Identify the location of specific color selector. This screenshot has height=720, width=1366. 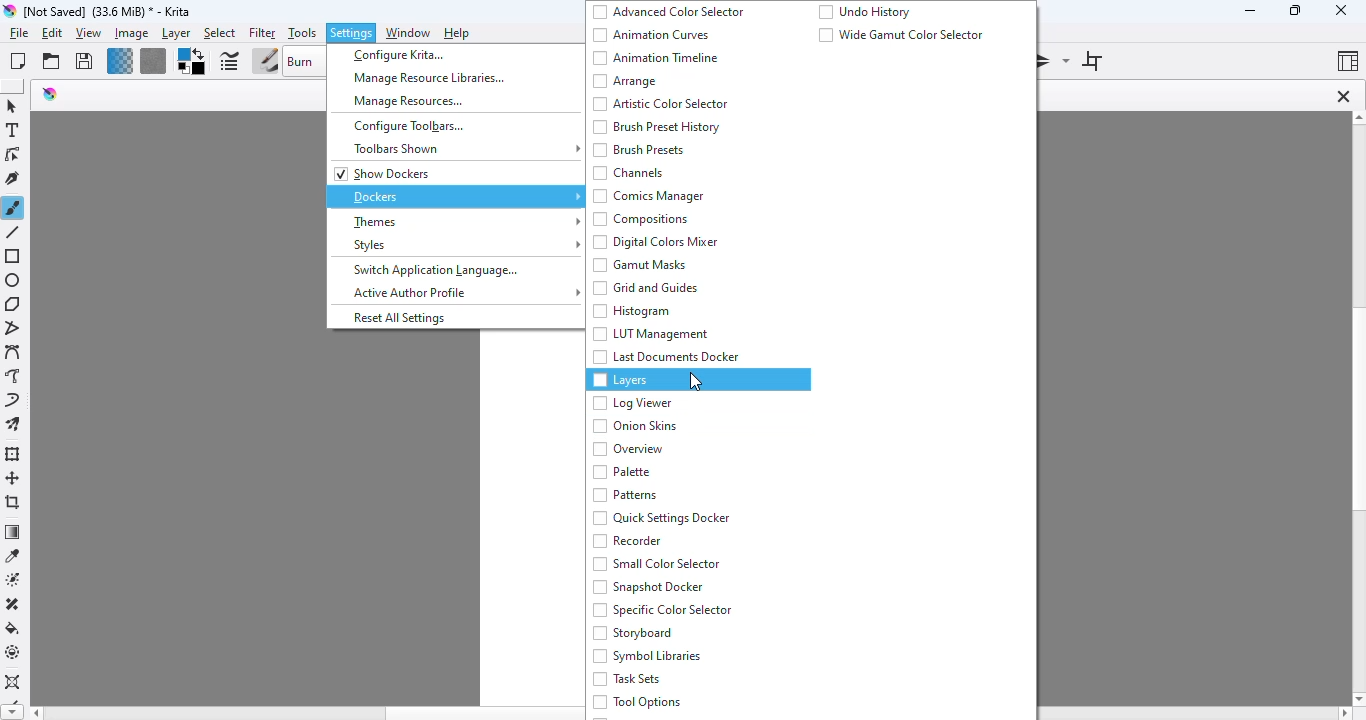
(662, 609).